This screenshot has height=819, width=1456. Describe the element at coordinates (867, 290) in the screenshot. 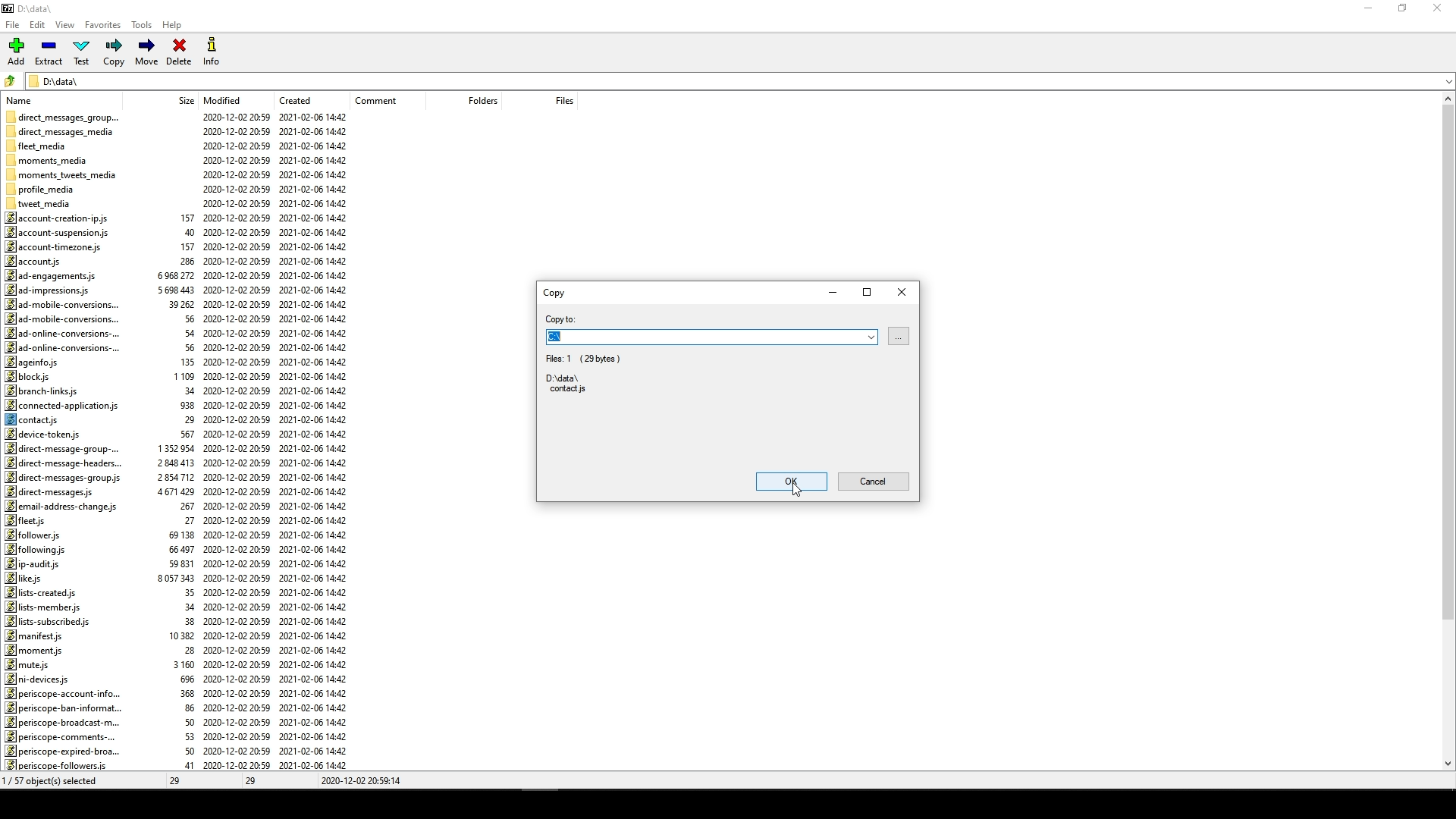

I see `maximize` at that location.